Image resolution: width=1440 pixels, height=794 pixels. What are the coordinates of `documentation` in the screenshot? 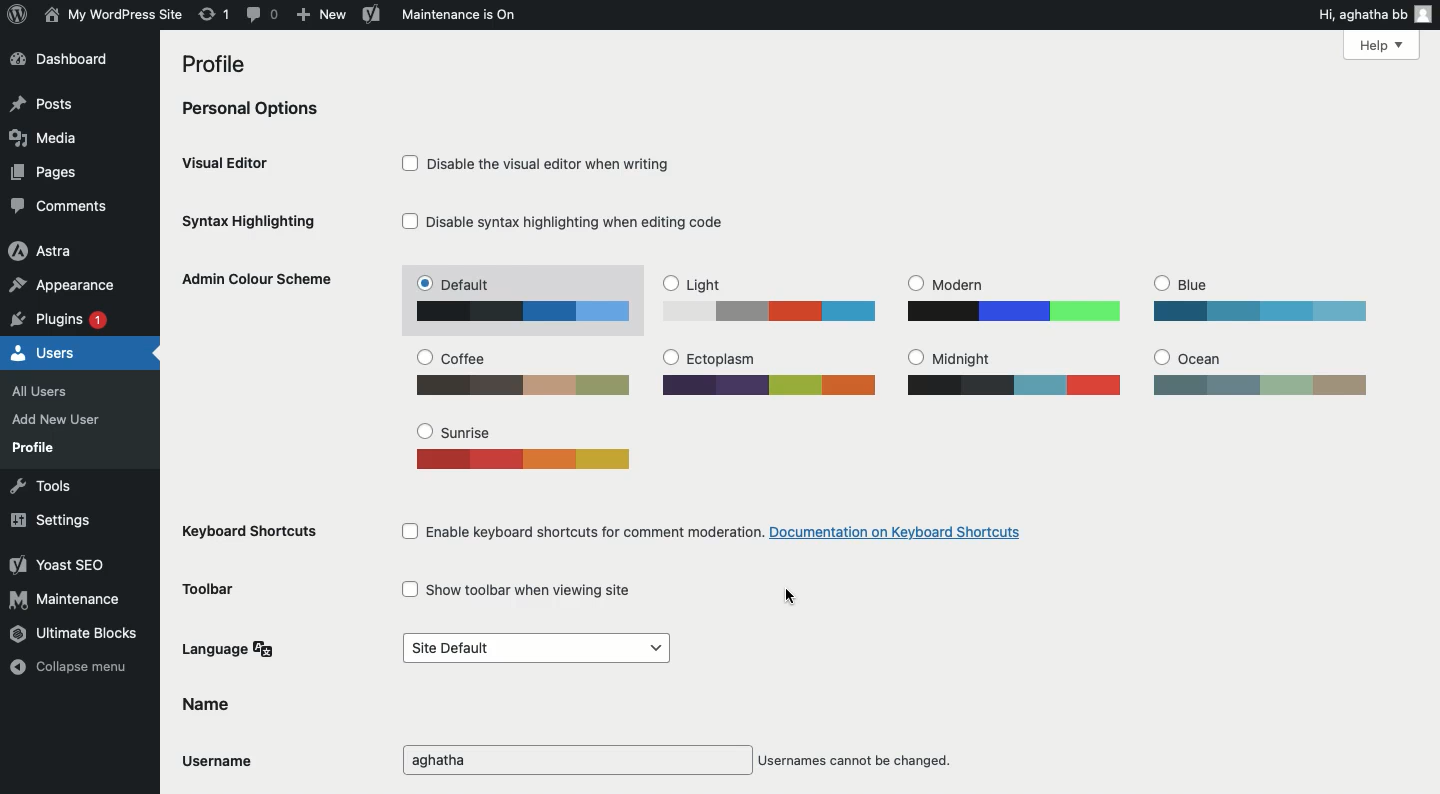 It's located at (900, 532).